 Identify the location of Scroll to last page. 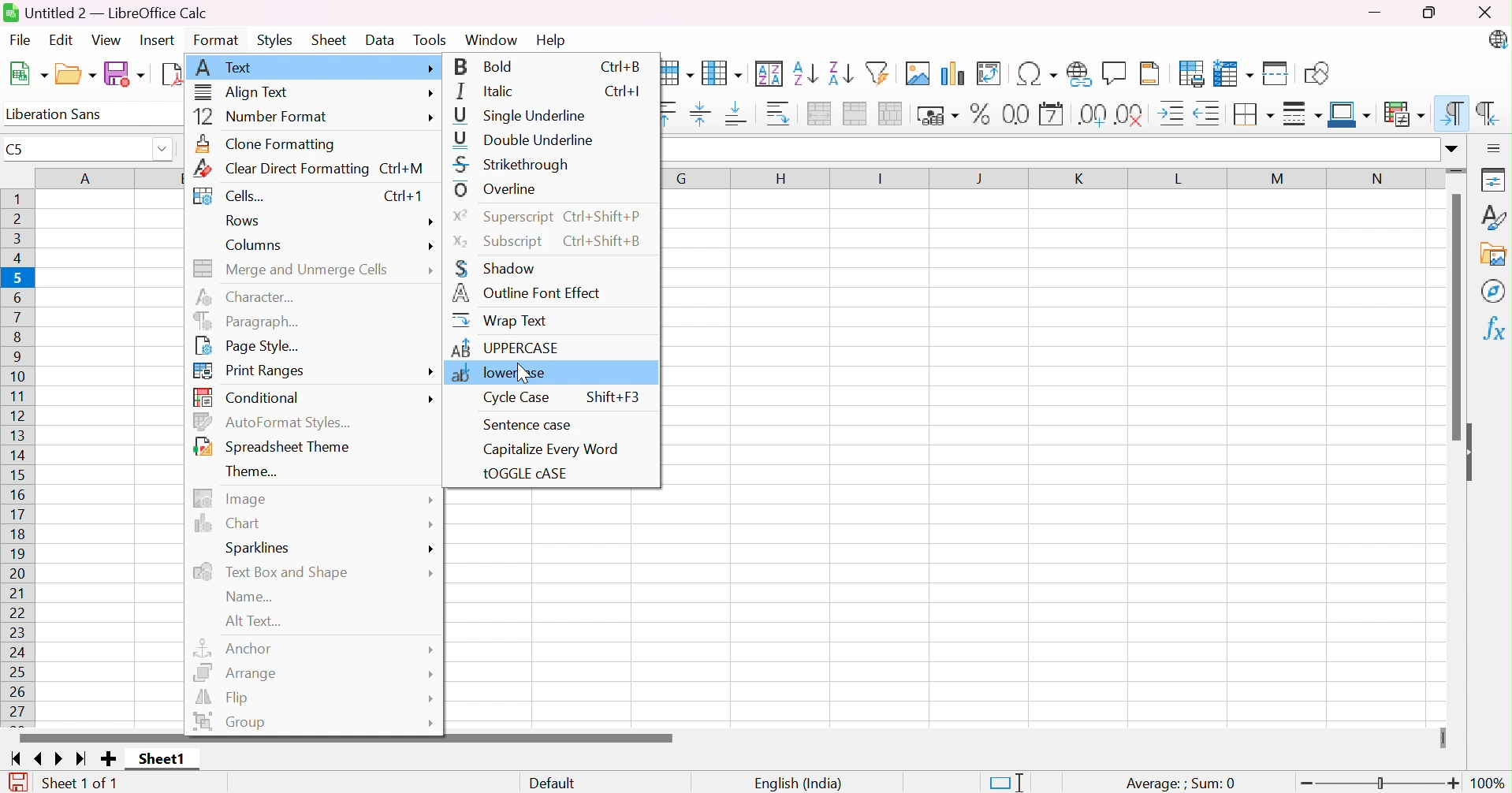
(86, 757).